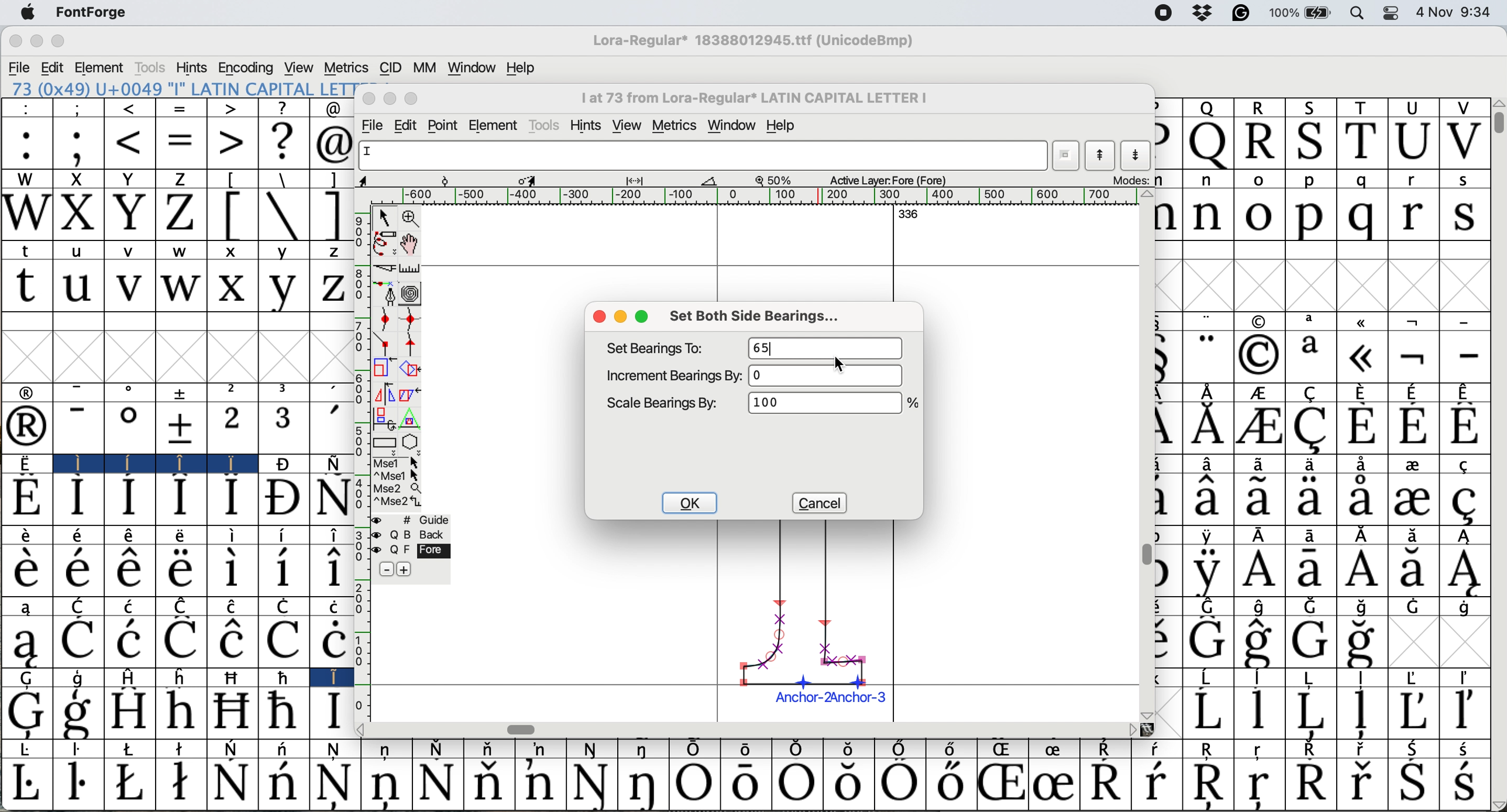  What do you see at coordinates (53, 68) in the screenshot?
I see `edit` at bounding box center [53, 68].